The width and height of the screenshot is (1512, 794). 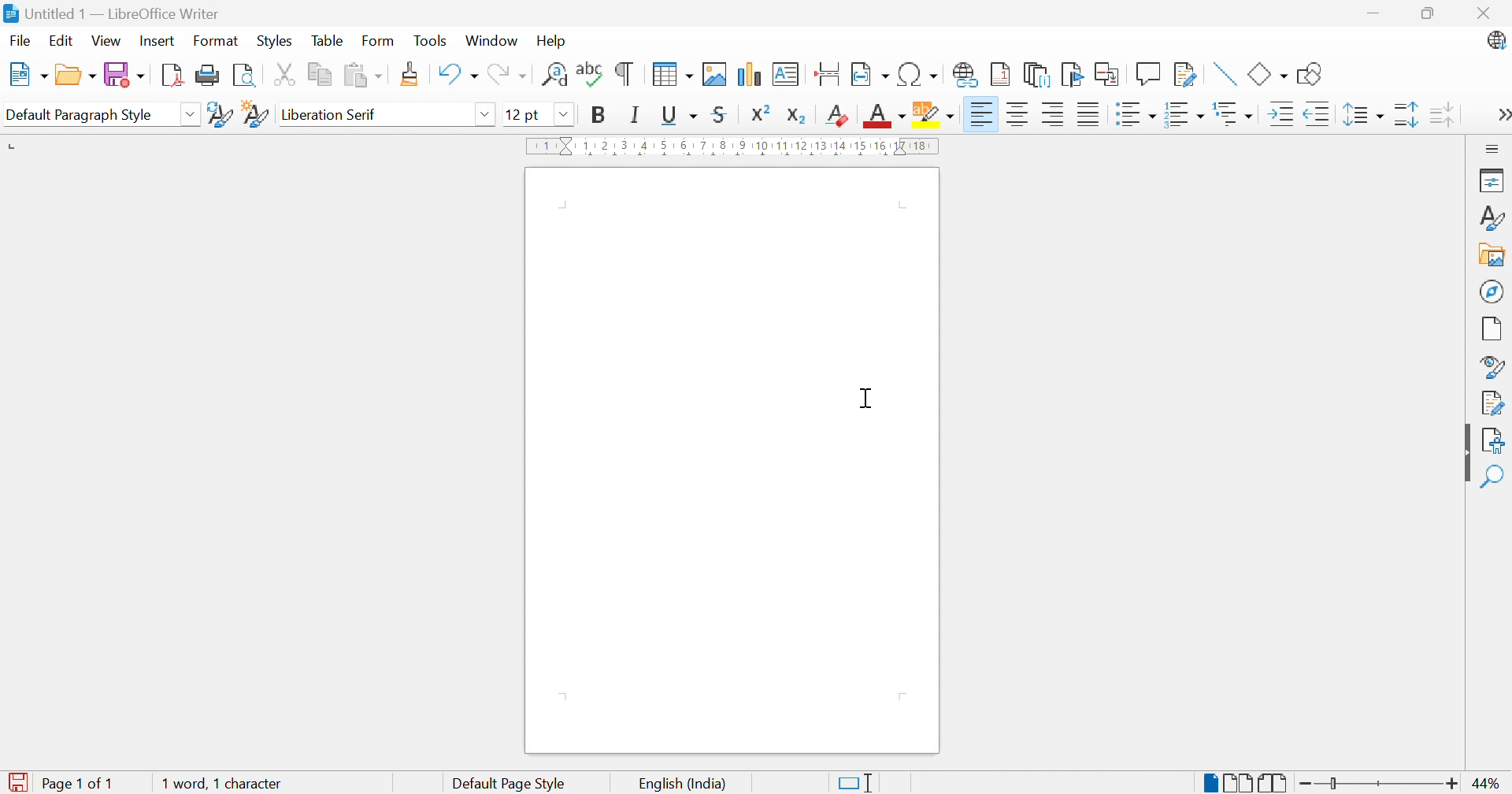 What do you see at coordinates (1236, 114) in the screenshot?
I see `Select outline format` at bounding box center [1236, 114].